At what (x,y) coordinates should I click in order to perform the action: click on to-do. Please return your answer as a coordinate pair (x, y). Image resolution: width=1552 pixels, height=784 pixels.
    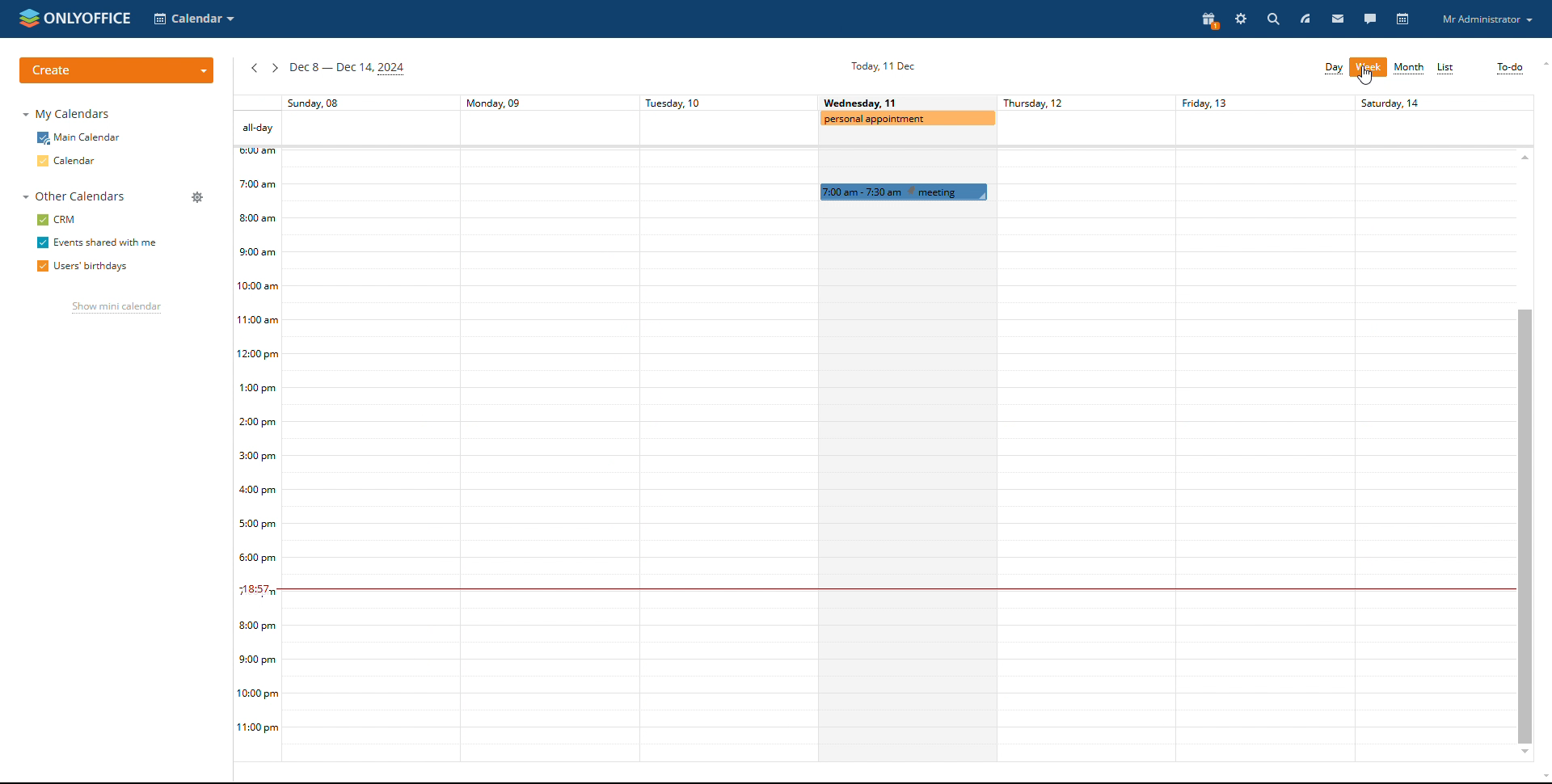
    Looking at the image, I should click on (1511, 69).